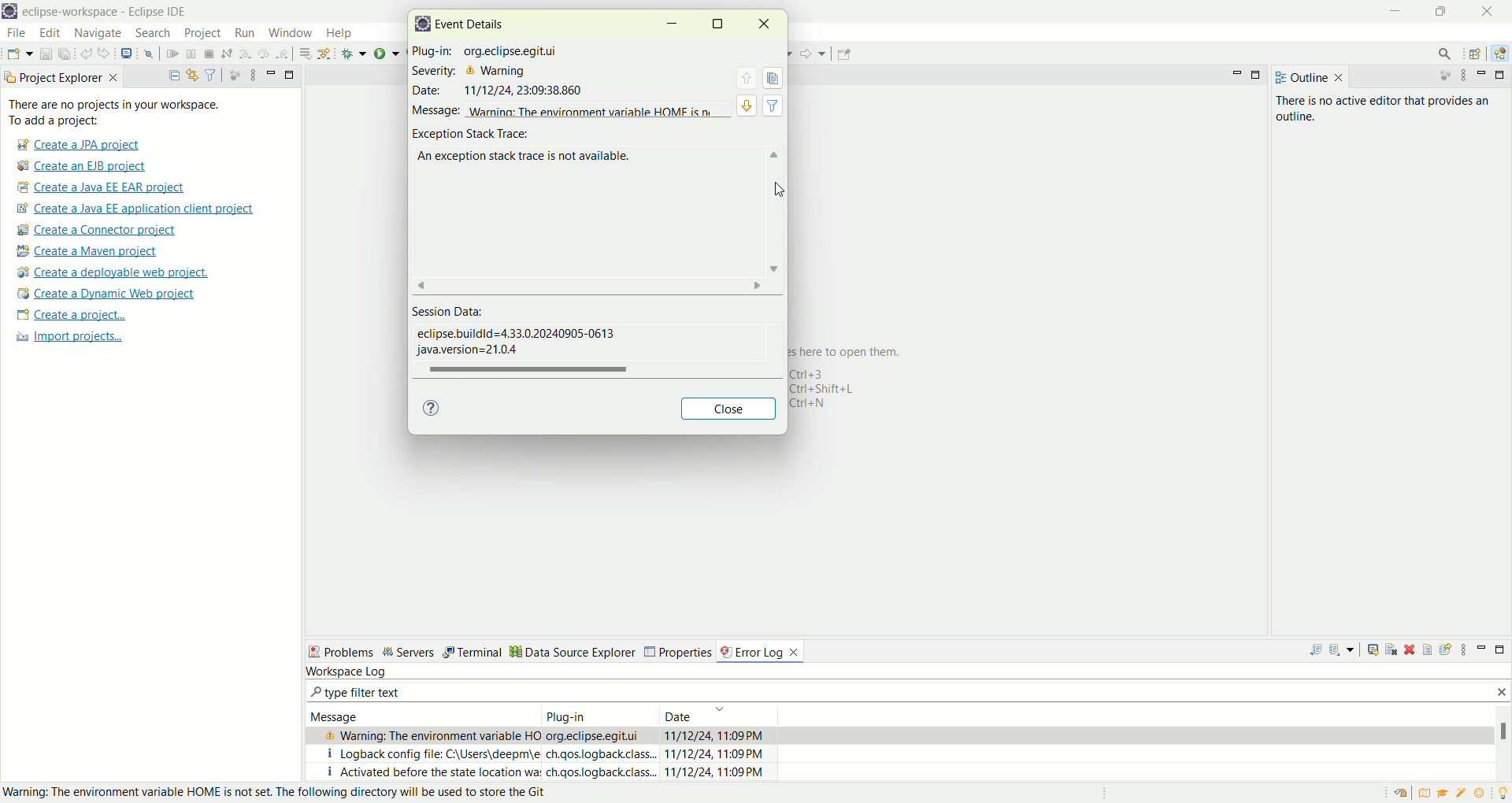  Describe the element at coordinates (104, 53) in the screenshot. I see `redo` at that location.